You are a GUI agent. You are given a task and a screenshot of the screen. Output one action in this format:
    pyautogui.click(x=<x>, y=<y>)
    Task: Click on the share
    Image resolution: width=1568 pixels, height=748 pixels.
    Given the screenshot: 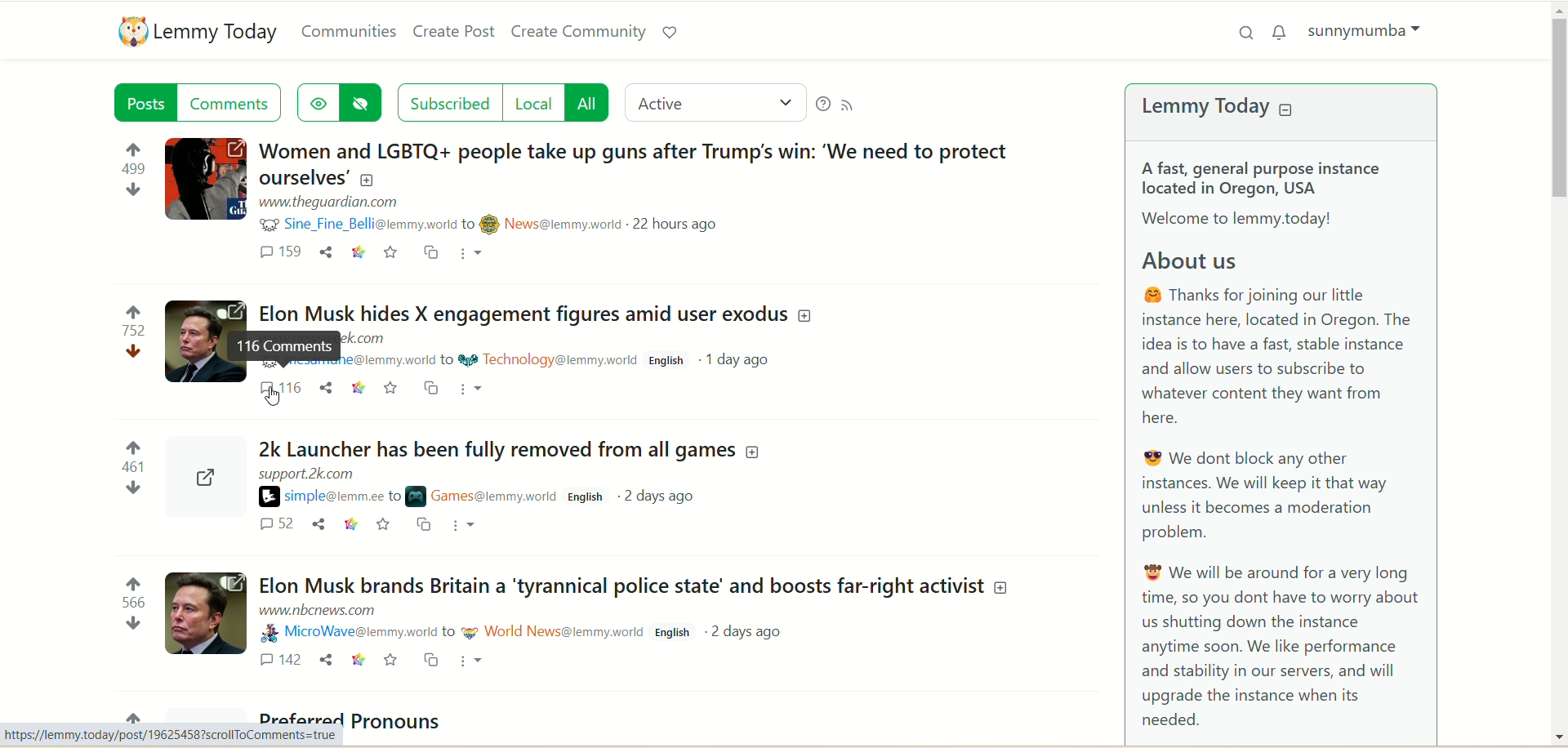 What is the action you would take?
    pyautogui.click(x=325, y=252)
    